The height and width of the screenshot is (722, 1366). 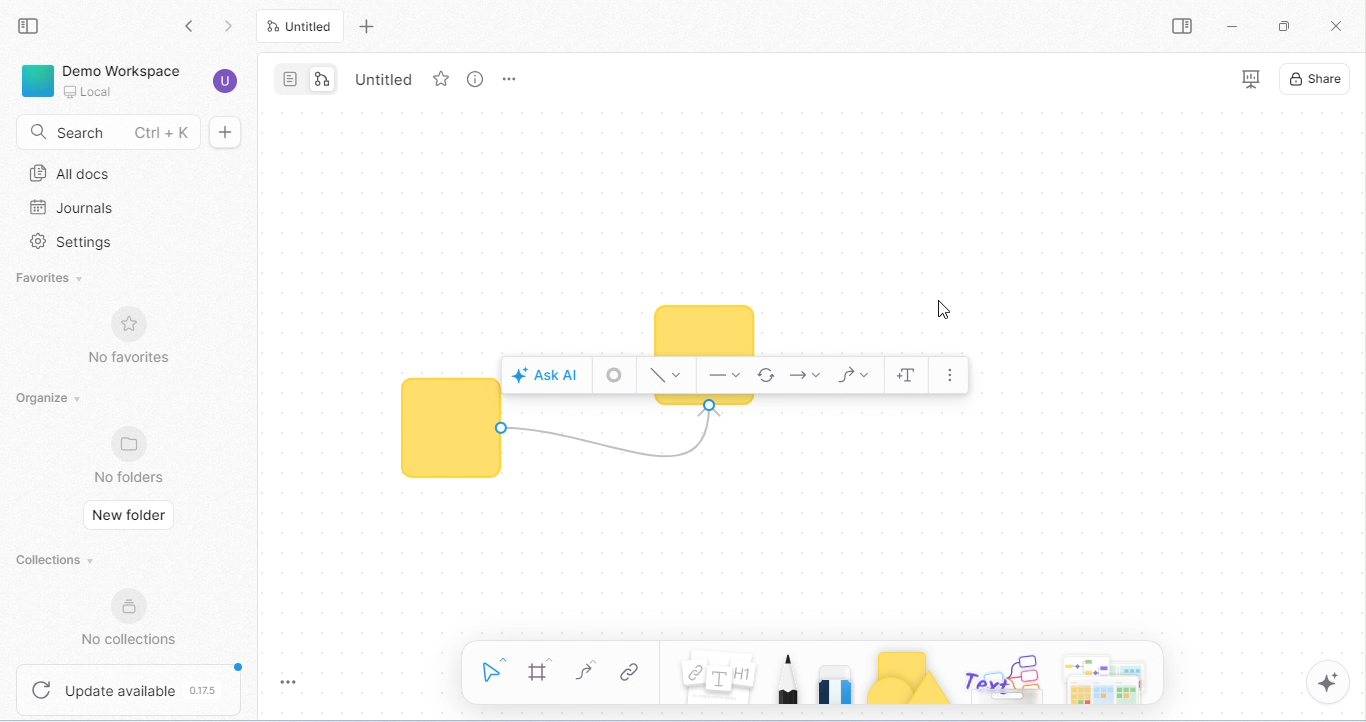 What do you see at coordinates (633, 673) in the screenshot?
I see `link` at bounding box center [633, 673].